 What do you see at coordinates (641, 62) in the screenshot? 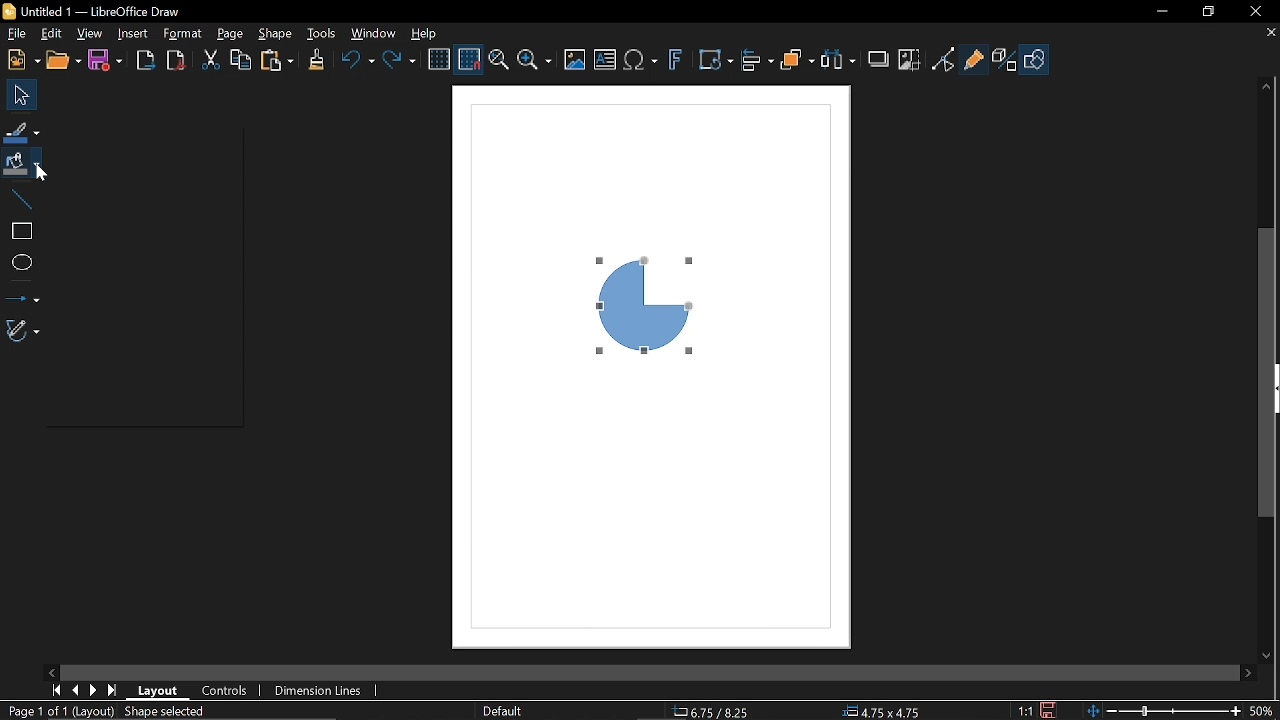
I see `Insert equation` at bounding box center [641, 62].